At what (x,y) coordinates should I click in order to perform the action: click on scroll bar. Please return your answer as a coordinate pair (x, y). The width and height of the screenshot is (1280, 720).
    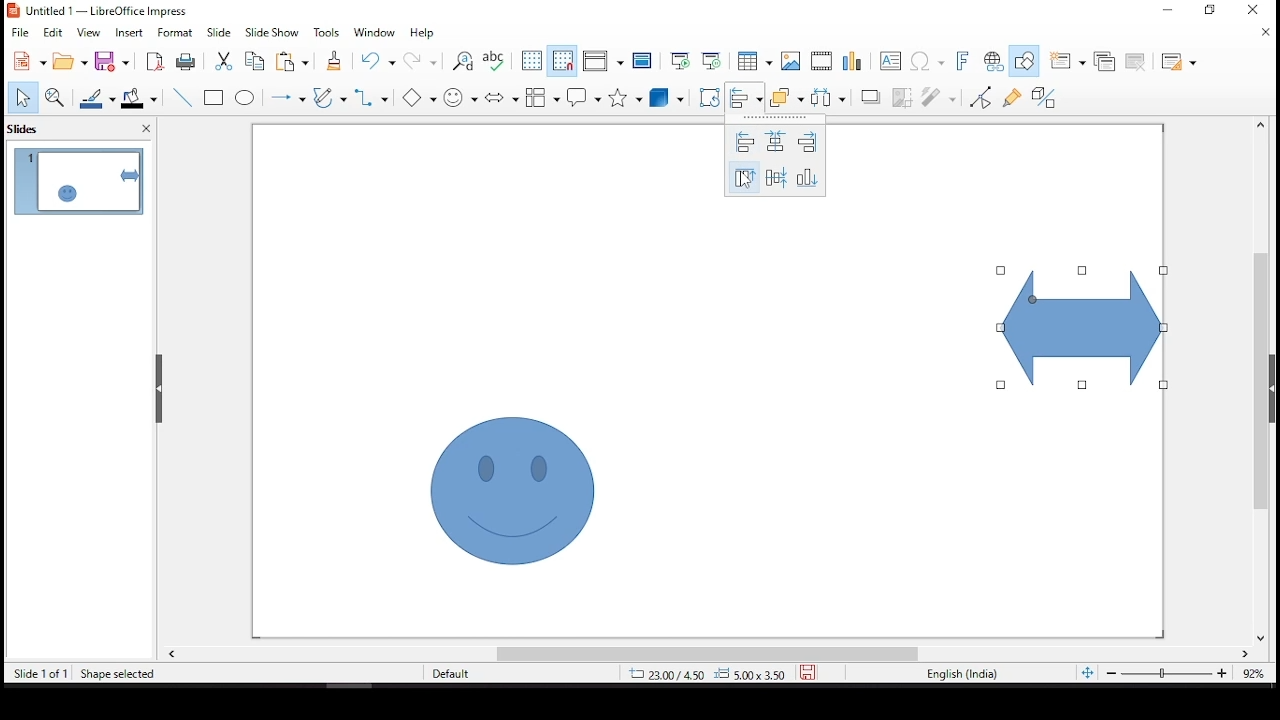
    Looking at the image, I should click on (1255, 380).